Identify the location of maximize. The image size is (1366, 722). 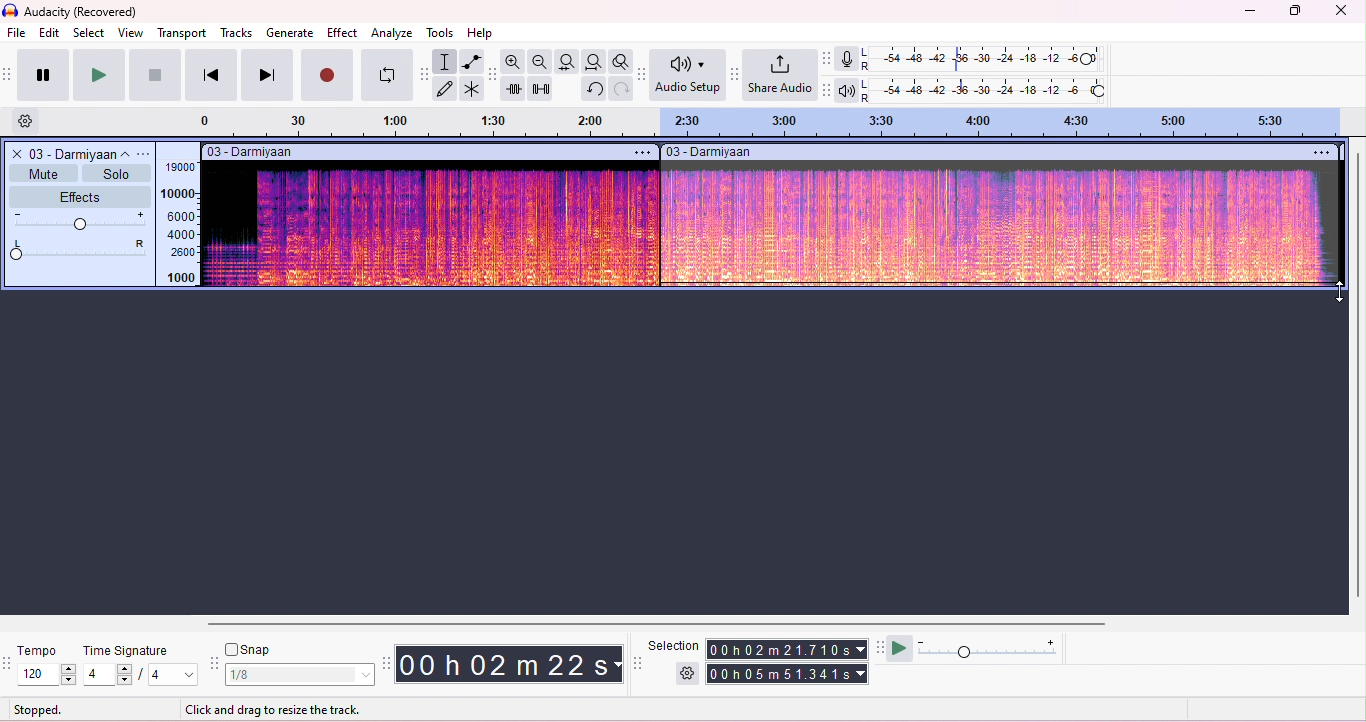
(1293, 11).